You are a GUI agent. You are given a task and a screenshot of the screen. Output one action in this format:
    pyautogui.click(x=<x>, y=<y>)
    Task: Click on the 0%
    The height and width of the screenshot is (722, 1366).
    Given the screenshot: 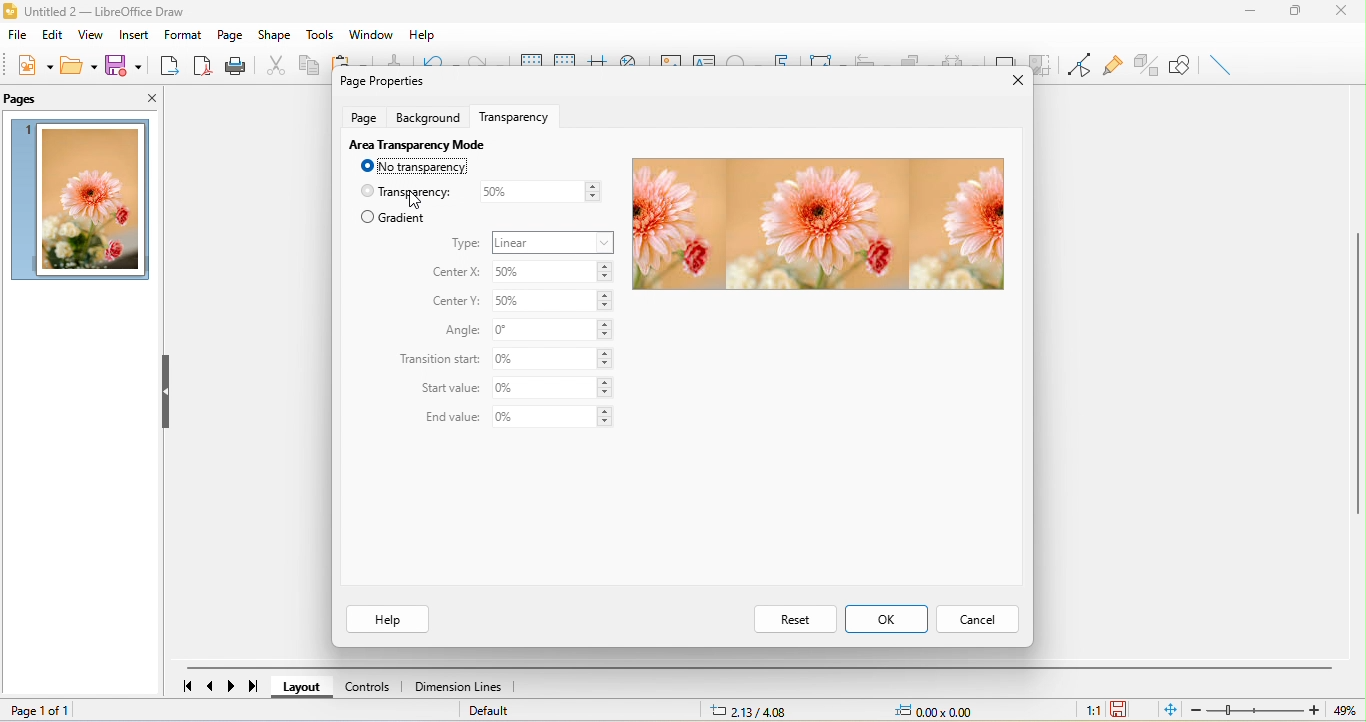 What is the action you would take?
    pyautogui.click(x=554, y=330)
    